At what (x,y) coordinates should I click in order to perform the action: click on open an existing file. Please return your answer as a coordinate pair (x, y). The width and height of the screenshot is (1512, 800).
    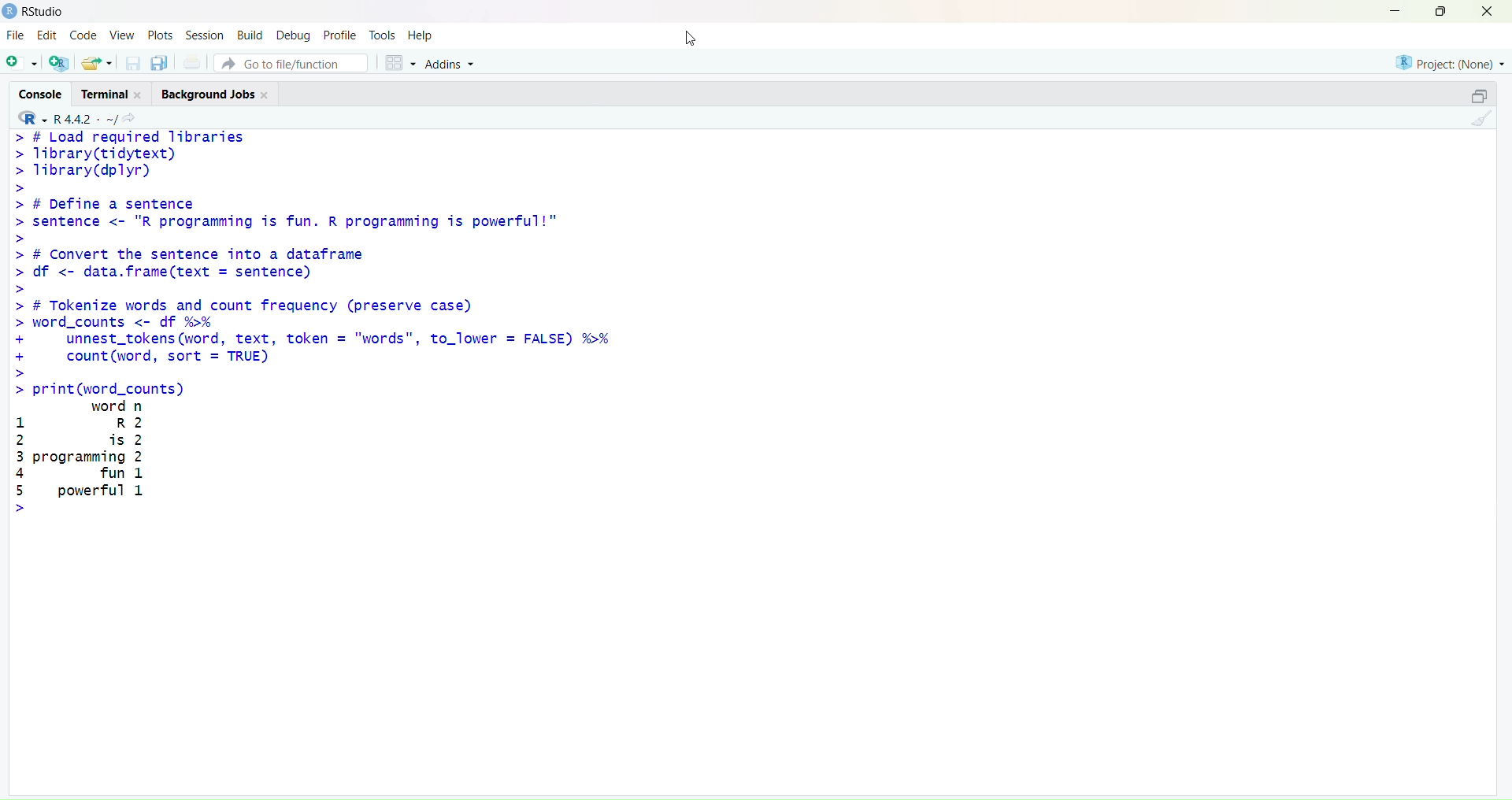
    Looking at the image, I should click on (98, 63).